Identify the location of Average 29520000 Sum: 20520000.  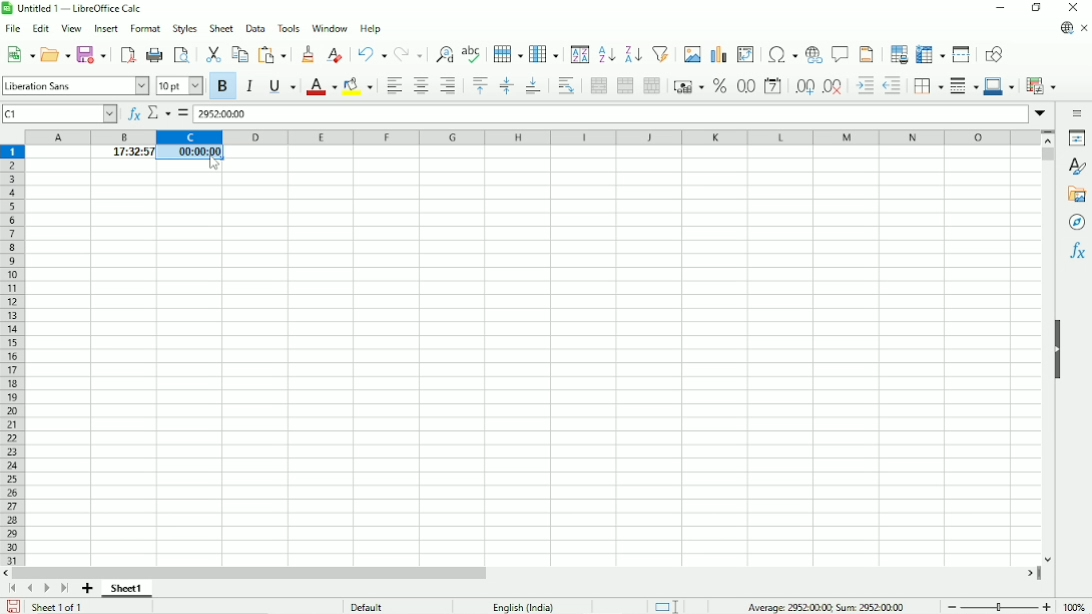
(825, 605).